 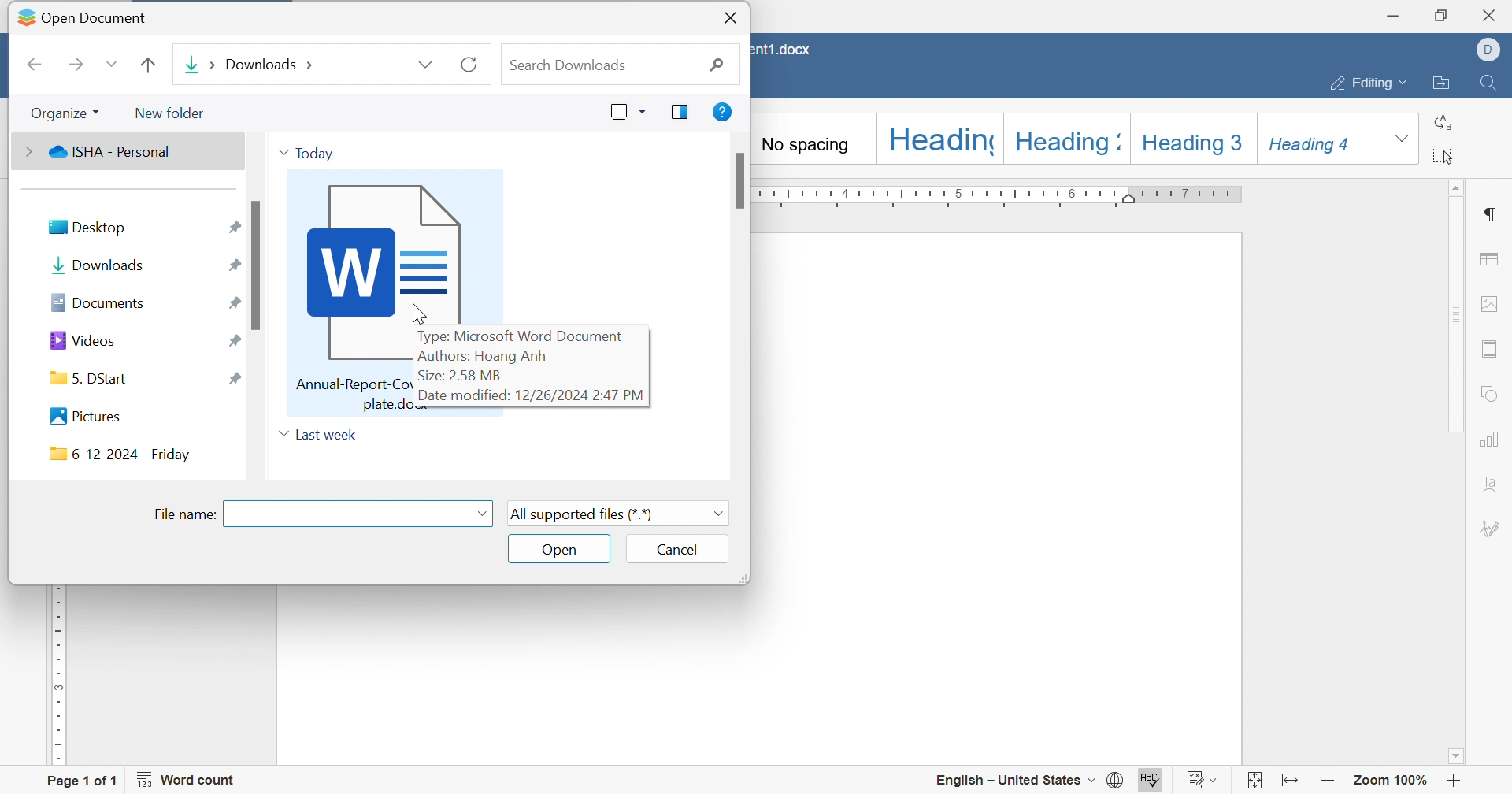 What do you see at coordinates (80, 780) in the screenshot?
I see `page 1 of 1` at bounding box center [80, 780].